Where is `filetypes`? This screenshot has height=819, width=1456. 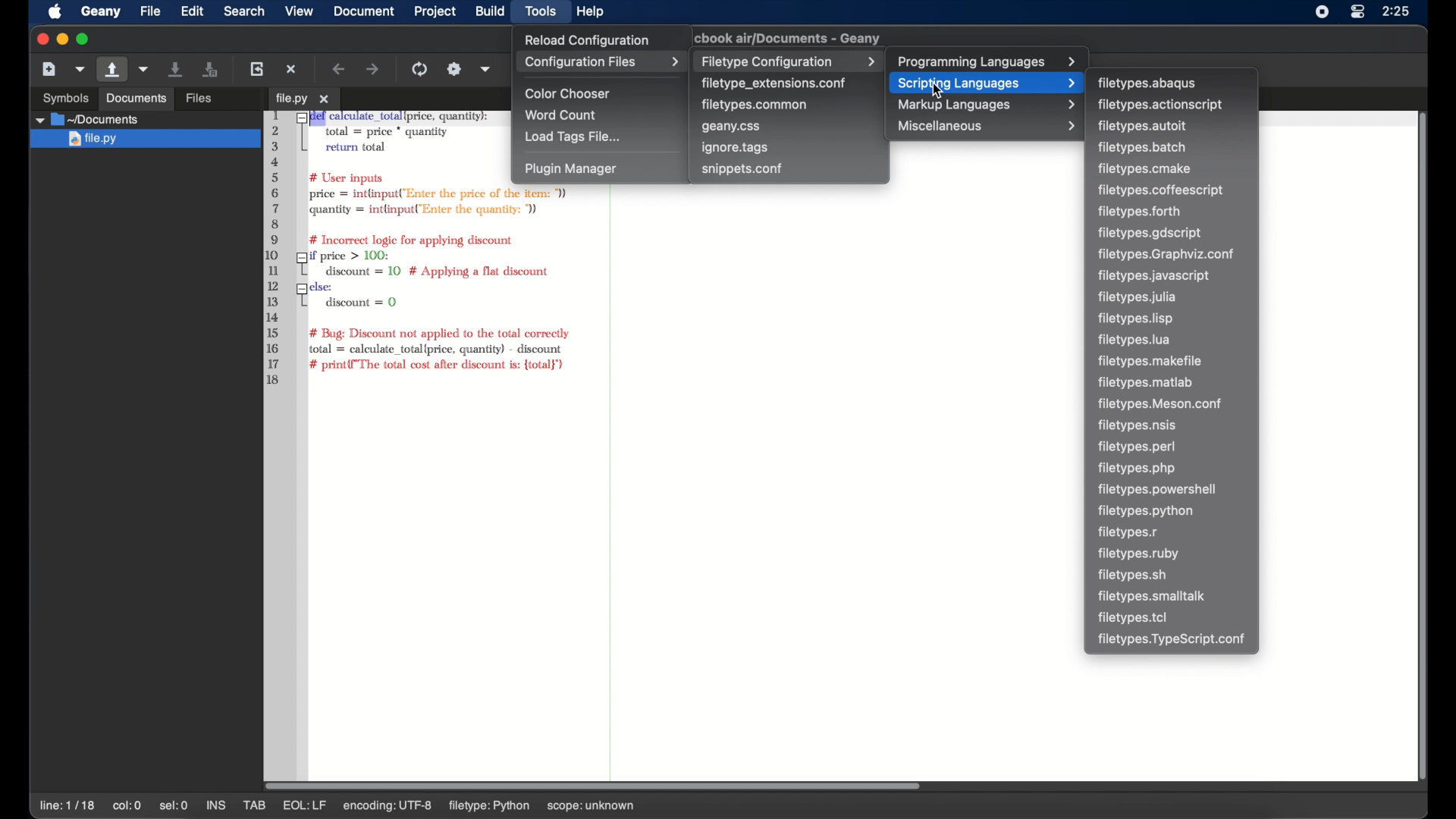 filetypes is located at coordinates (1152, 234).